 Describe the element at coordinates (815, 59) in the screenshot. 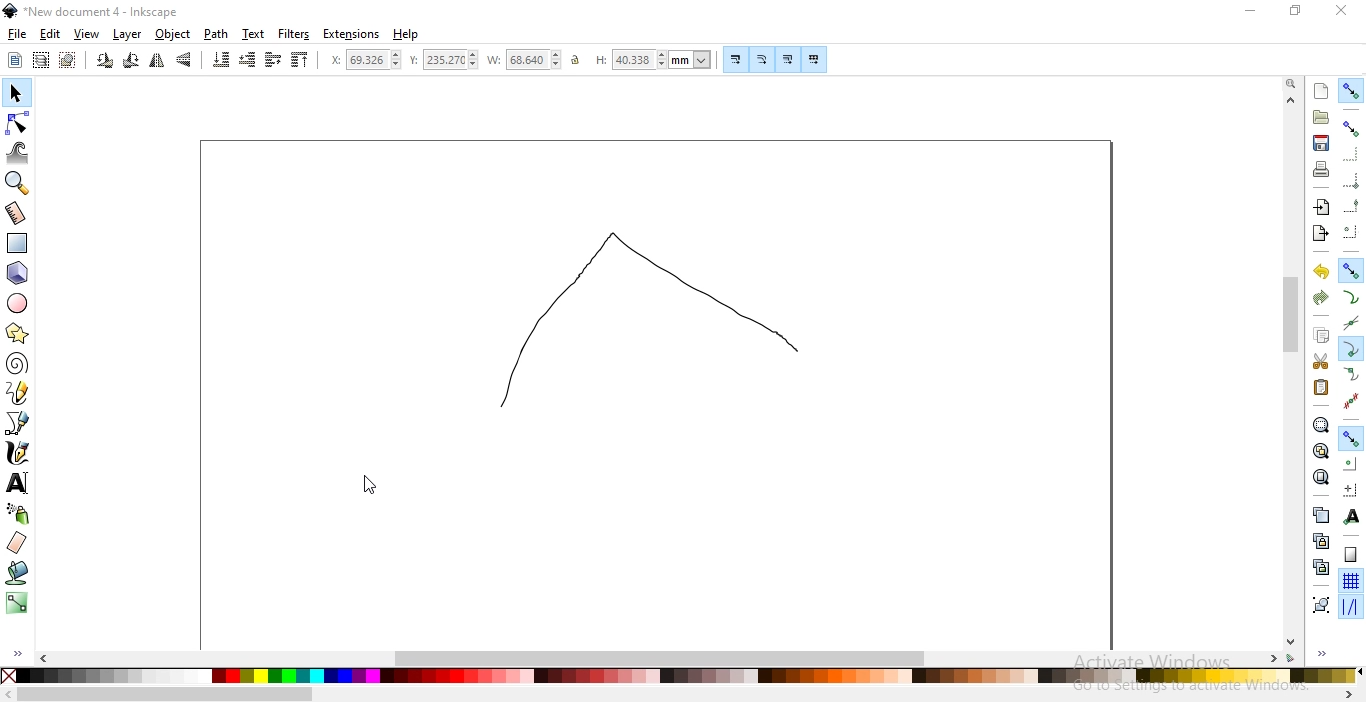

I see `move patterns along with objects` at that location.